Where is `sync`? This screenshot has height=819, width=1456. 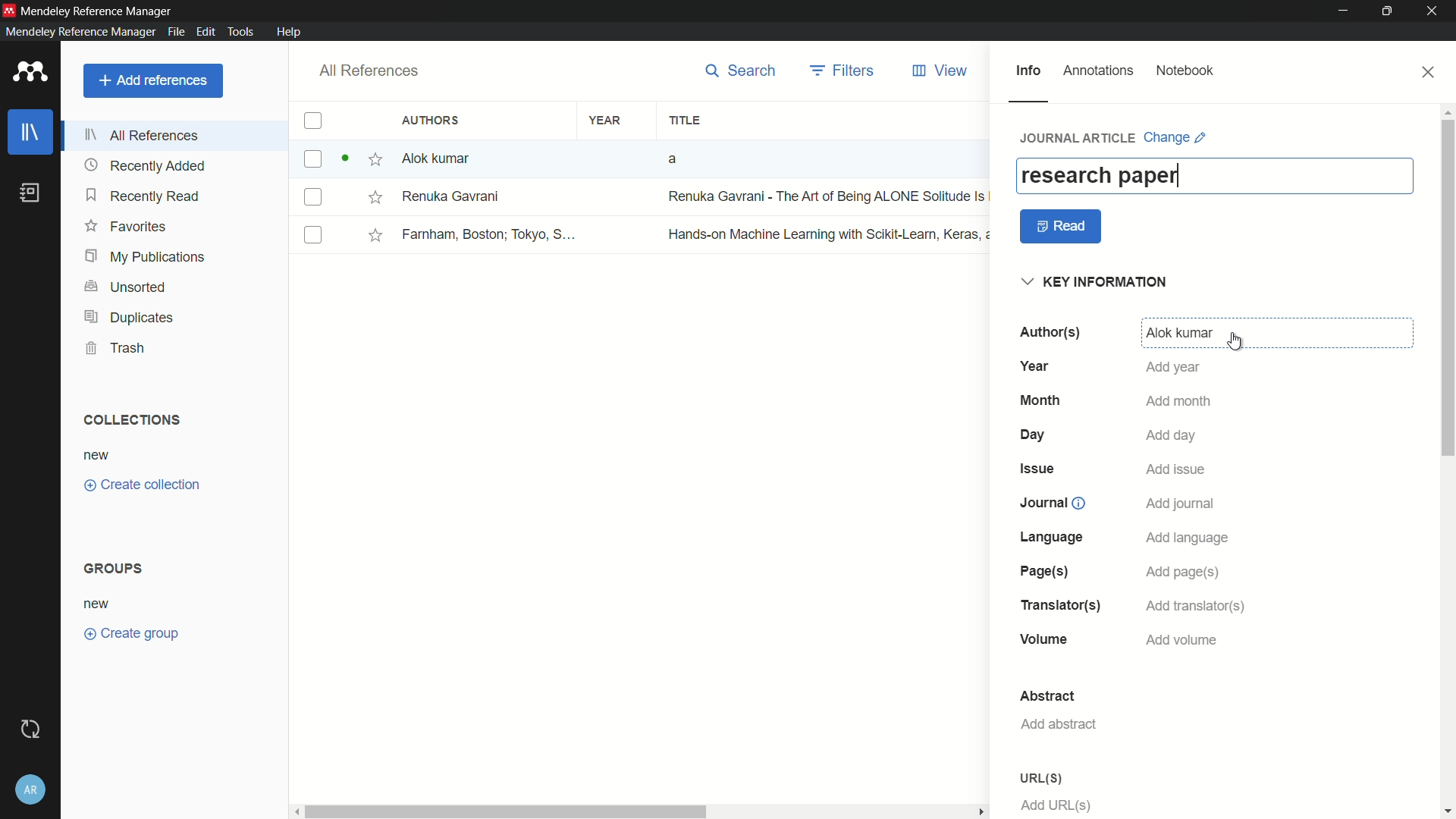
sync is located at coordinates (33, 730).